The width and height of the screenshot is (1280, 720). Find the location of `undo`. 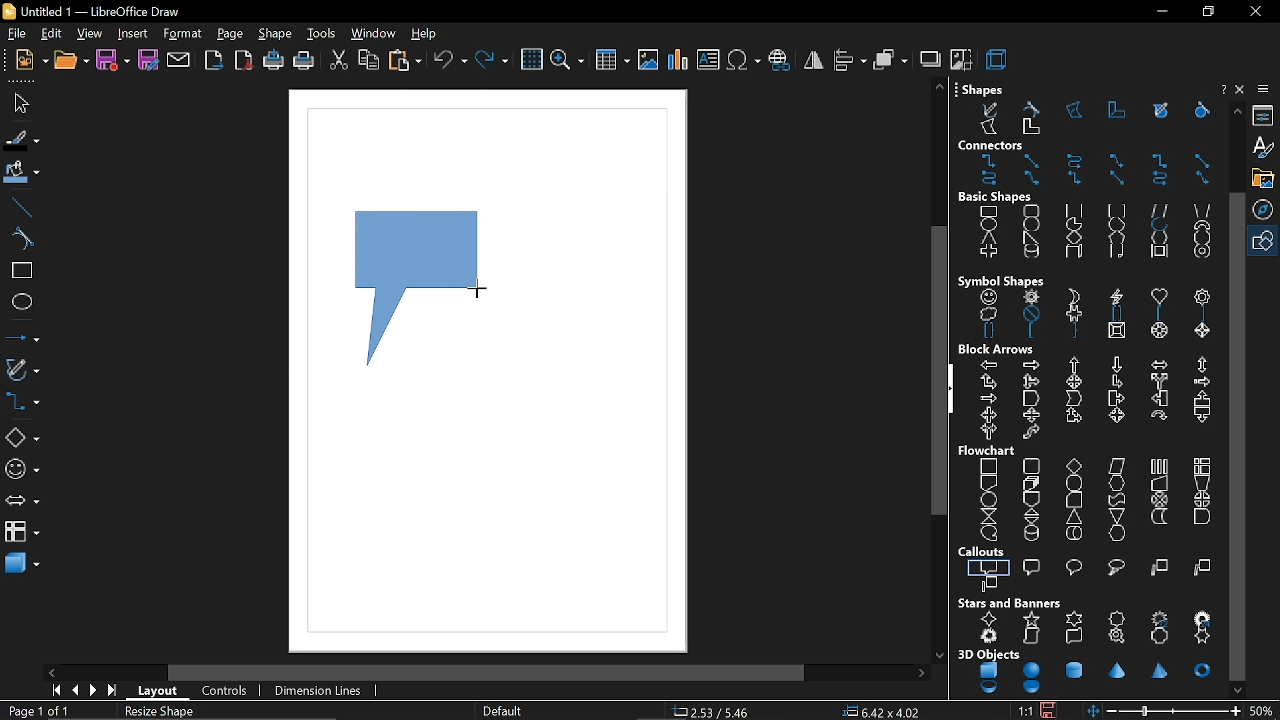

undo is located at coordinates (450, 61).